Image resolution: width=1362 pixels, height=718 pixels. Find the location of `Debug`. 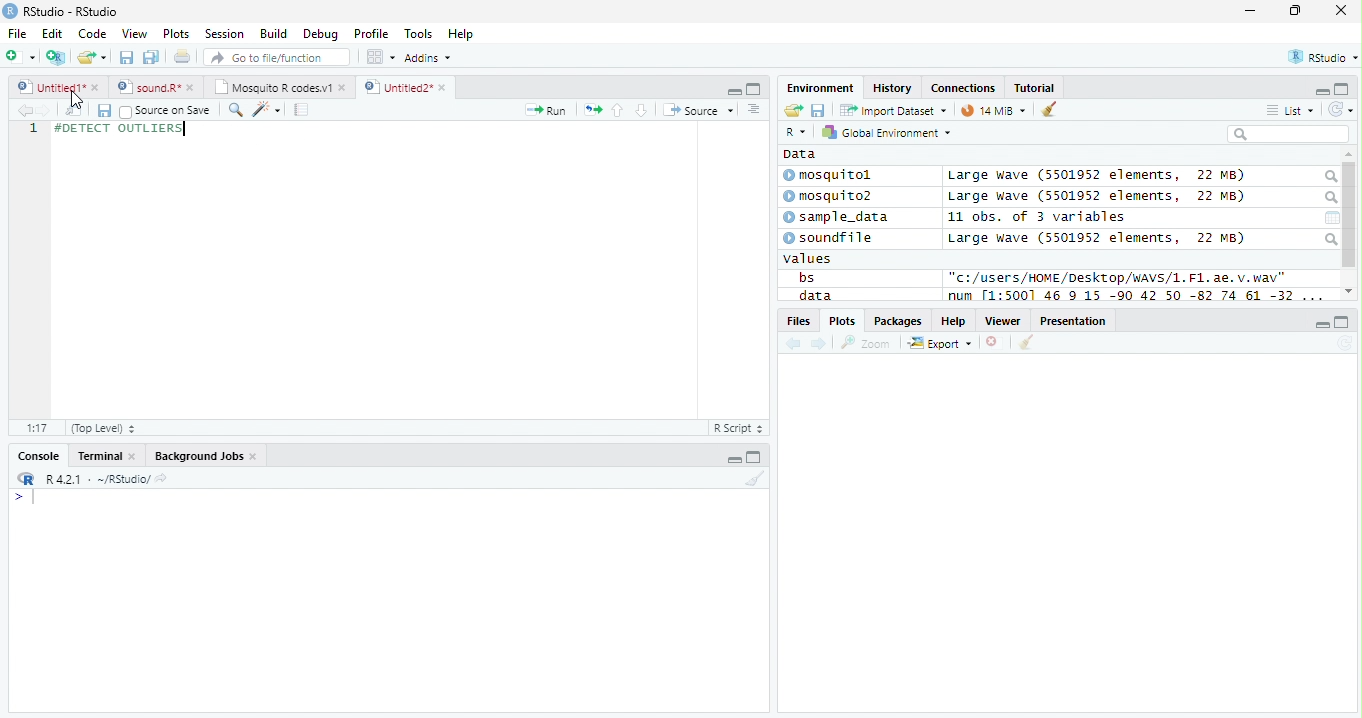

Debug is located at coordinates (319, 34).